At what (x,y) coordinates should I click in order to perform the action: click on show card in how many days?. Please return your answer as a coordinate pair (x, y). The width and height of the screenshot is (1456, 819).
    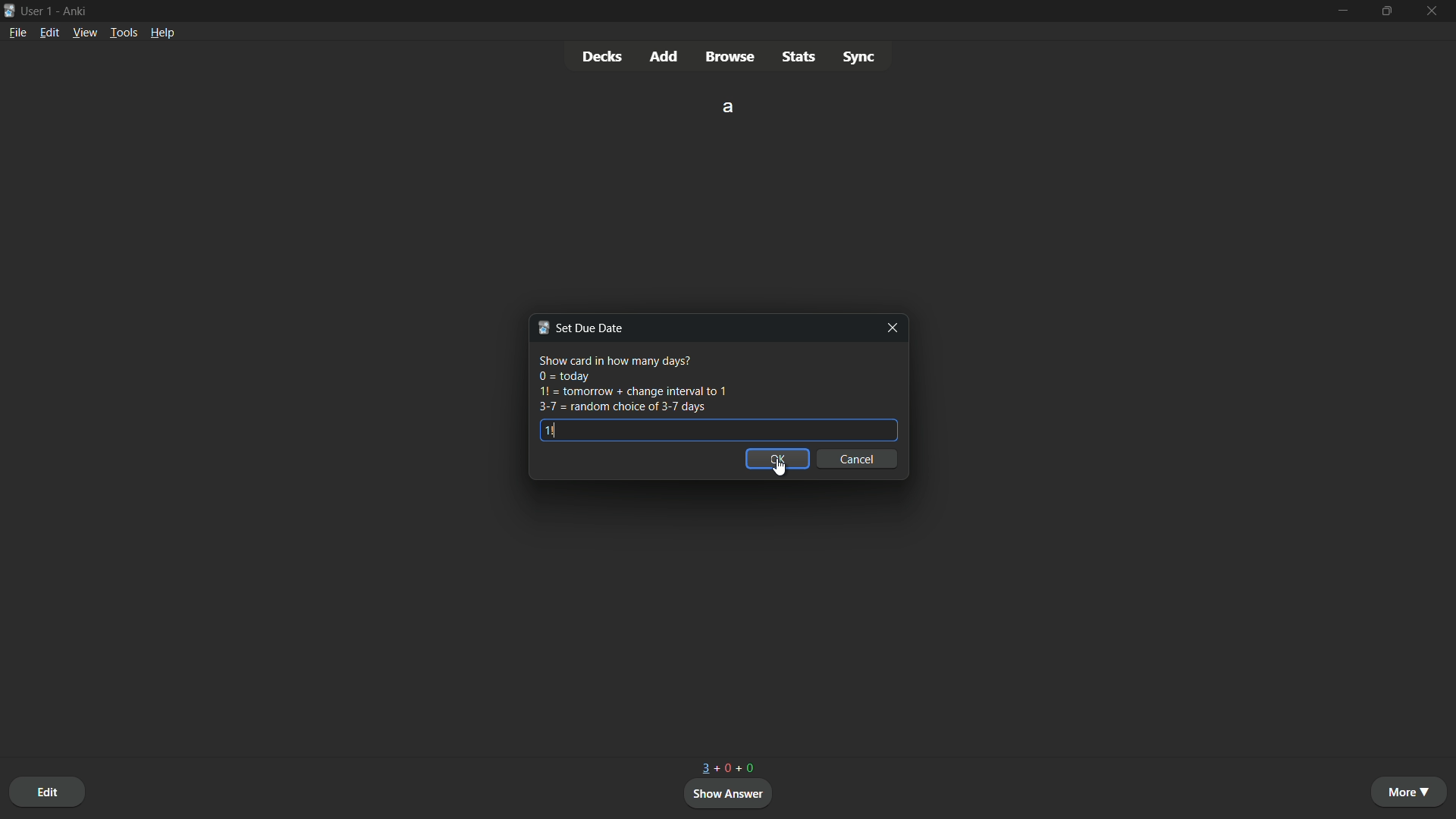
    Looking at the image, I should click on (613, 360).